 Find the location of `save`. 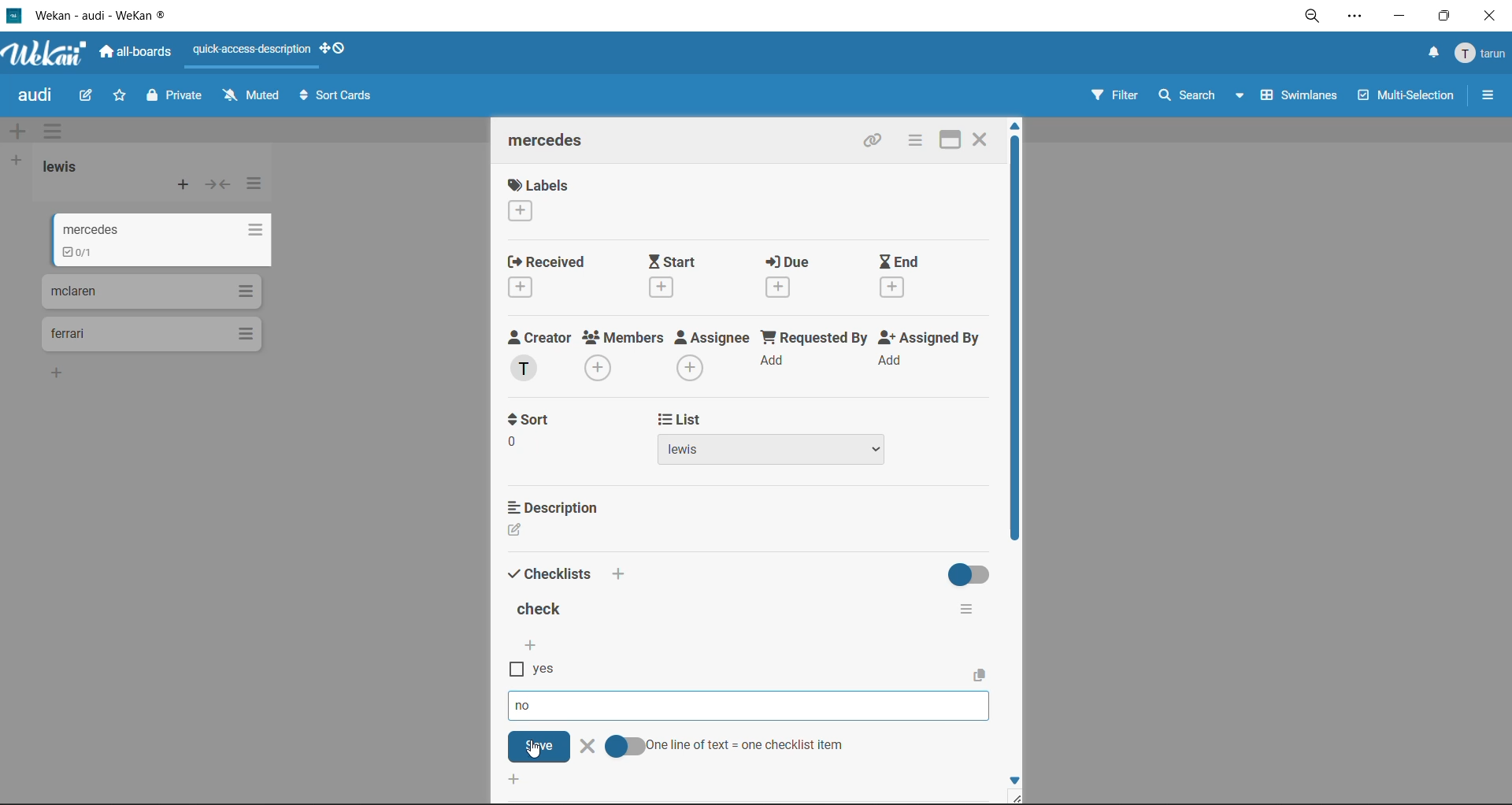

save is located at coordinates (539, 746).